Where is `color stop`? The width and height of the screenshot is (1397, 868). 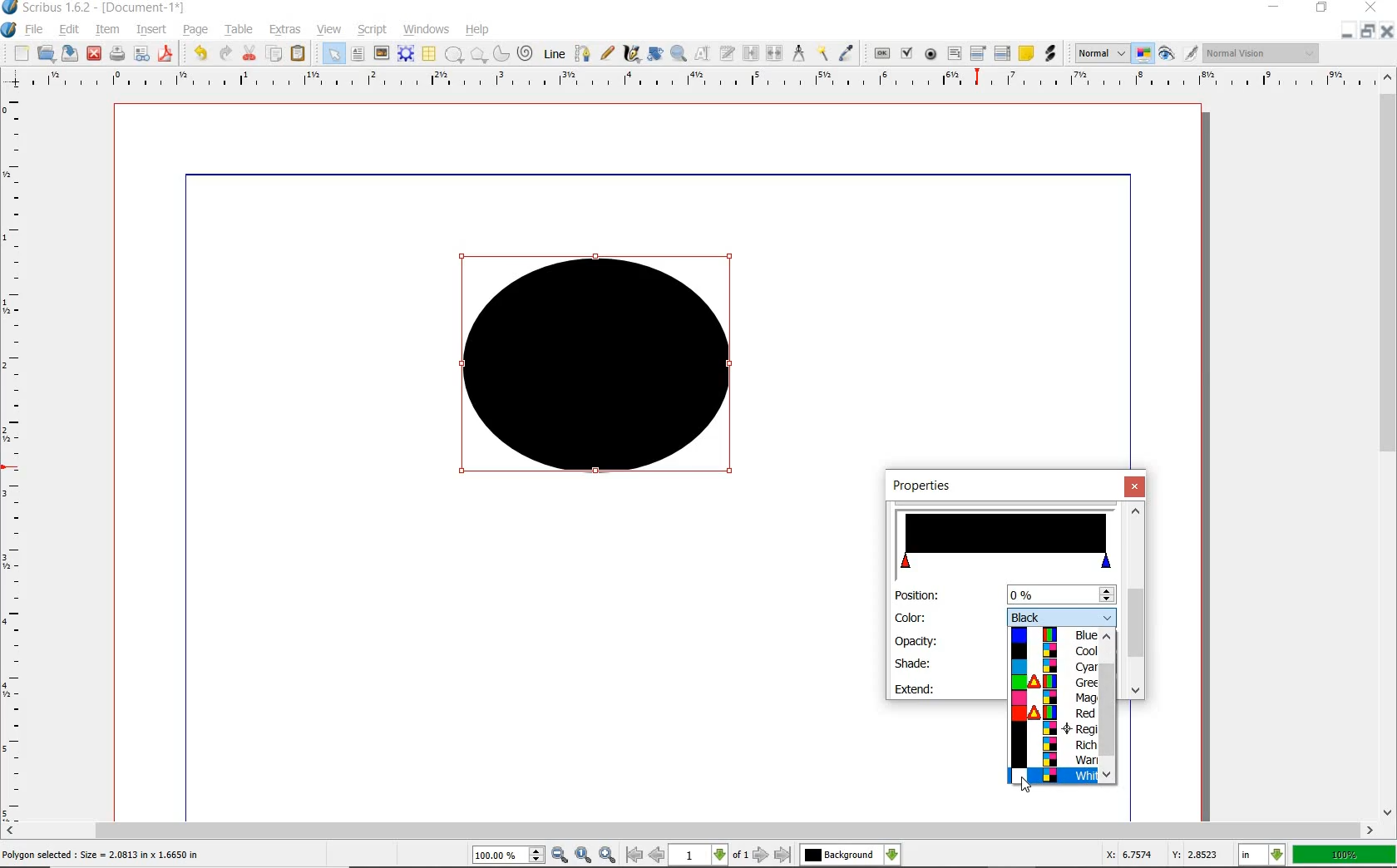 color stop is located at coordinates (1007, 541).